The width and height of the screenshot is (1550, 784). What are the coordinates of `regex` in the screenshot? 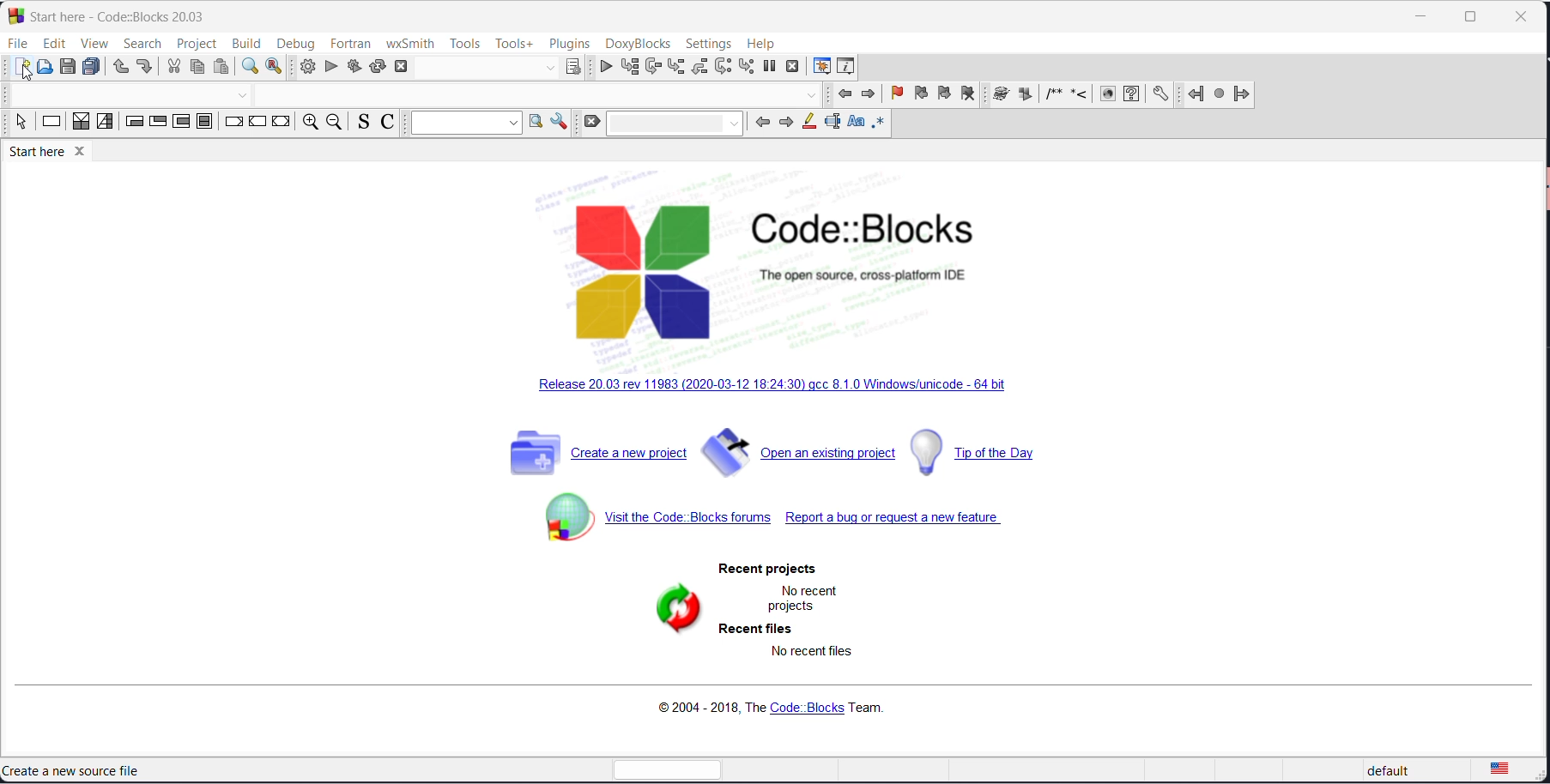 It's located at (881, 124).